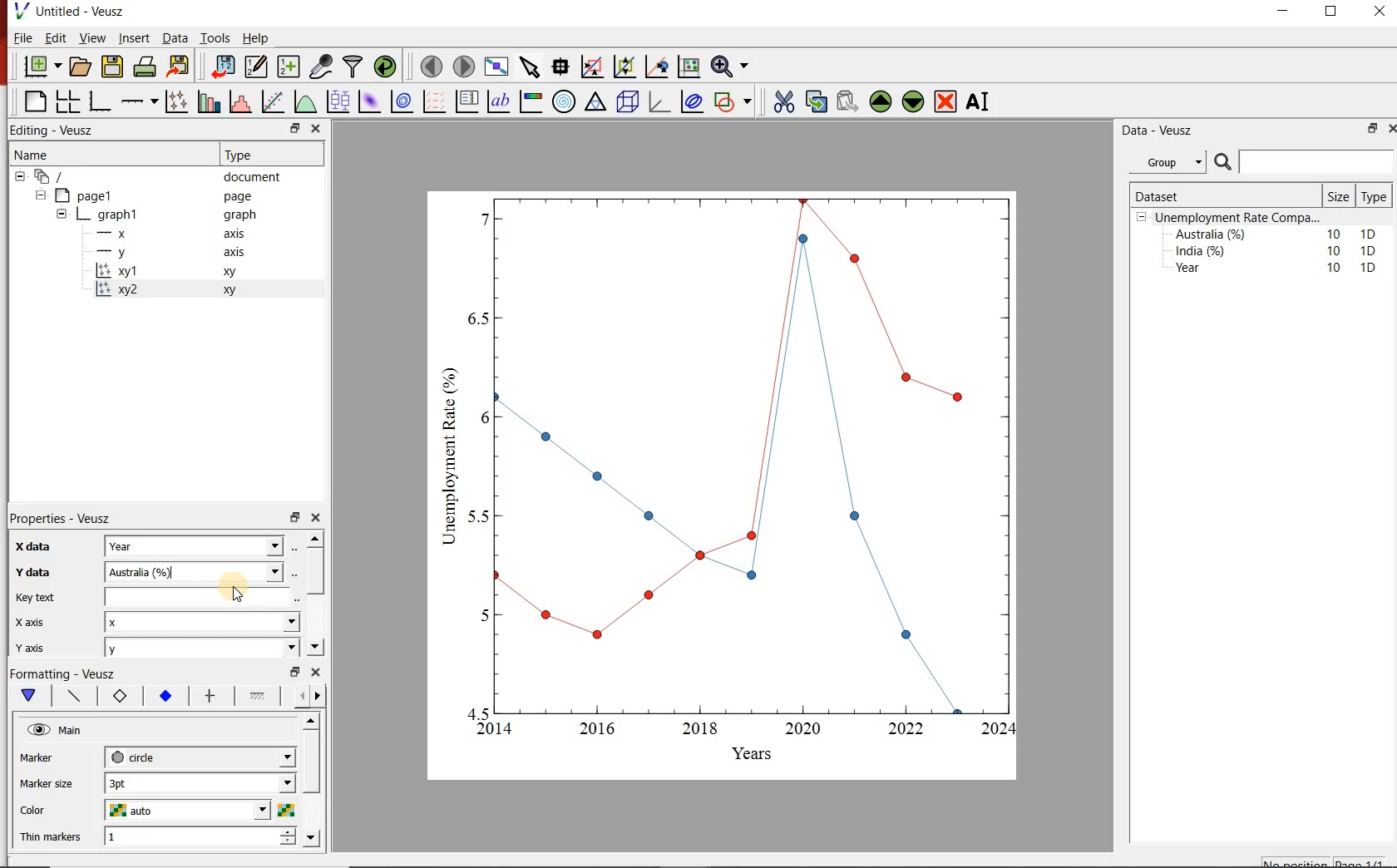  Describe the element at coordinates (1281, 269) in the screenshot. I see `Year 10 1D` at that location.